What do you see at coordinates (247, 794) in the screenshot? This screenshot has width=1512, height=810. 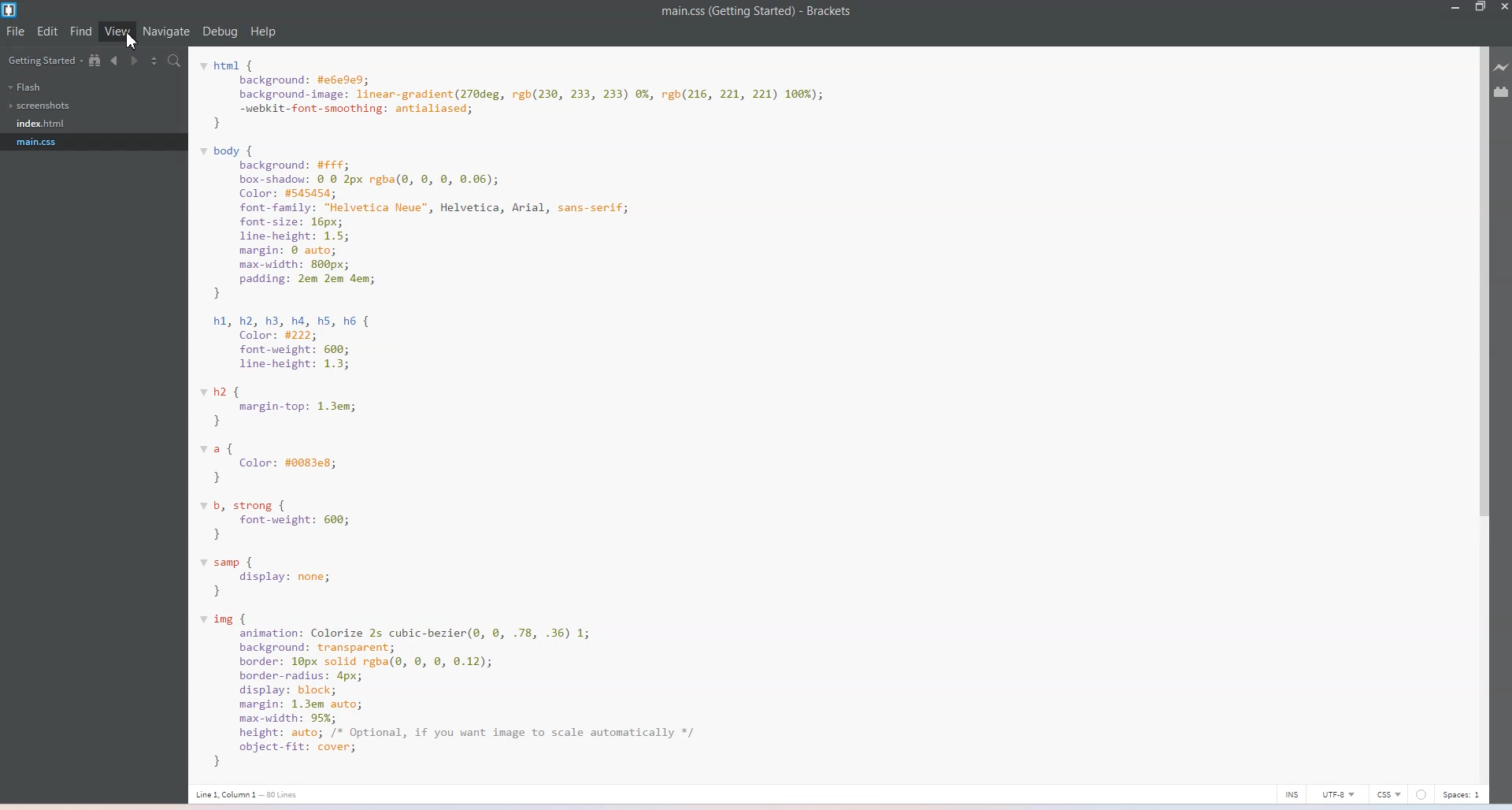 I see `Line 1, column 1 - 80 lines` at bounding box center [247, 794].